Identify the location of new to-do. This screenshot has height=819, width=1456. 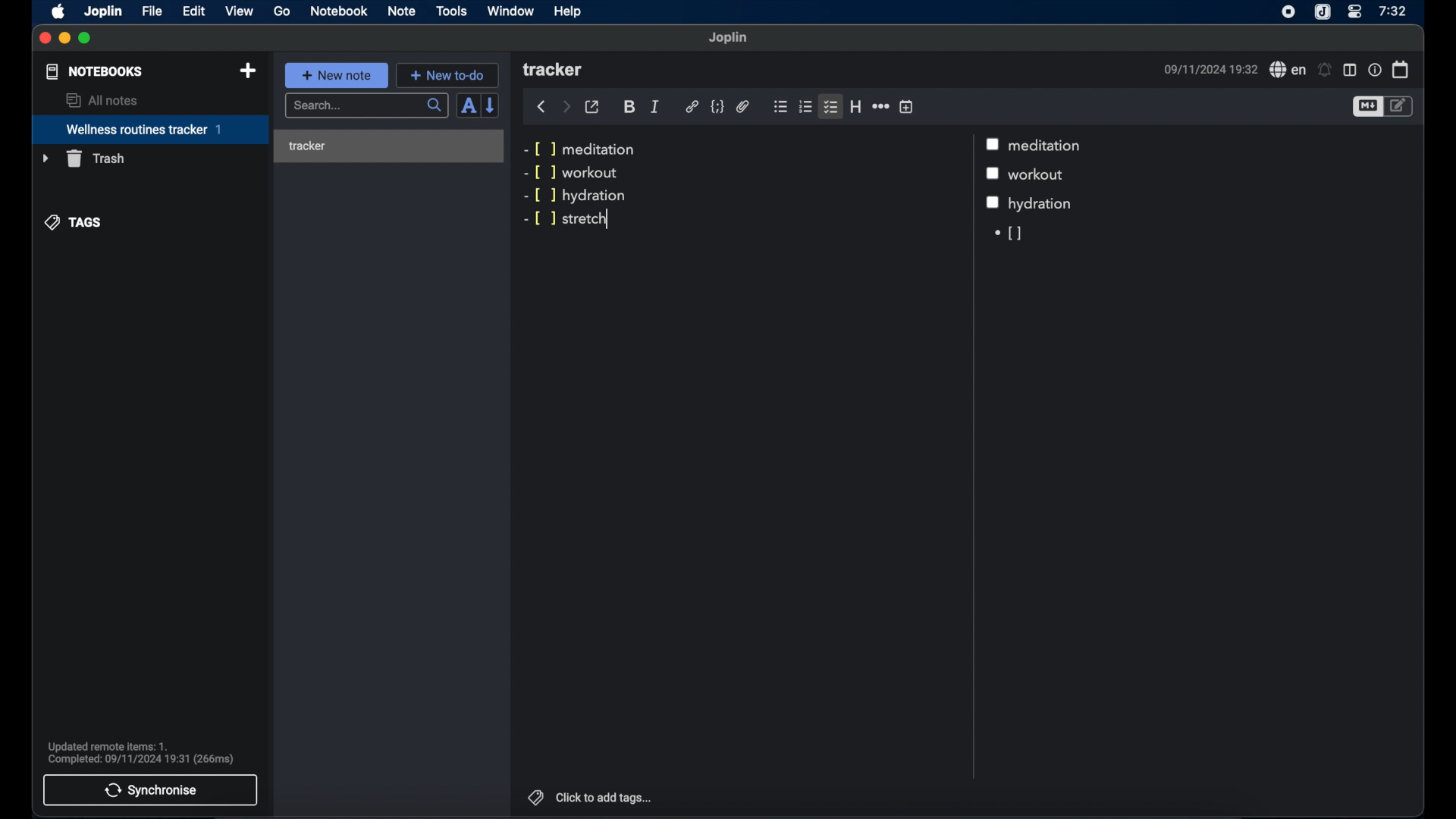
(447, 74).